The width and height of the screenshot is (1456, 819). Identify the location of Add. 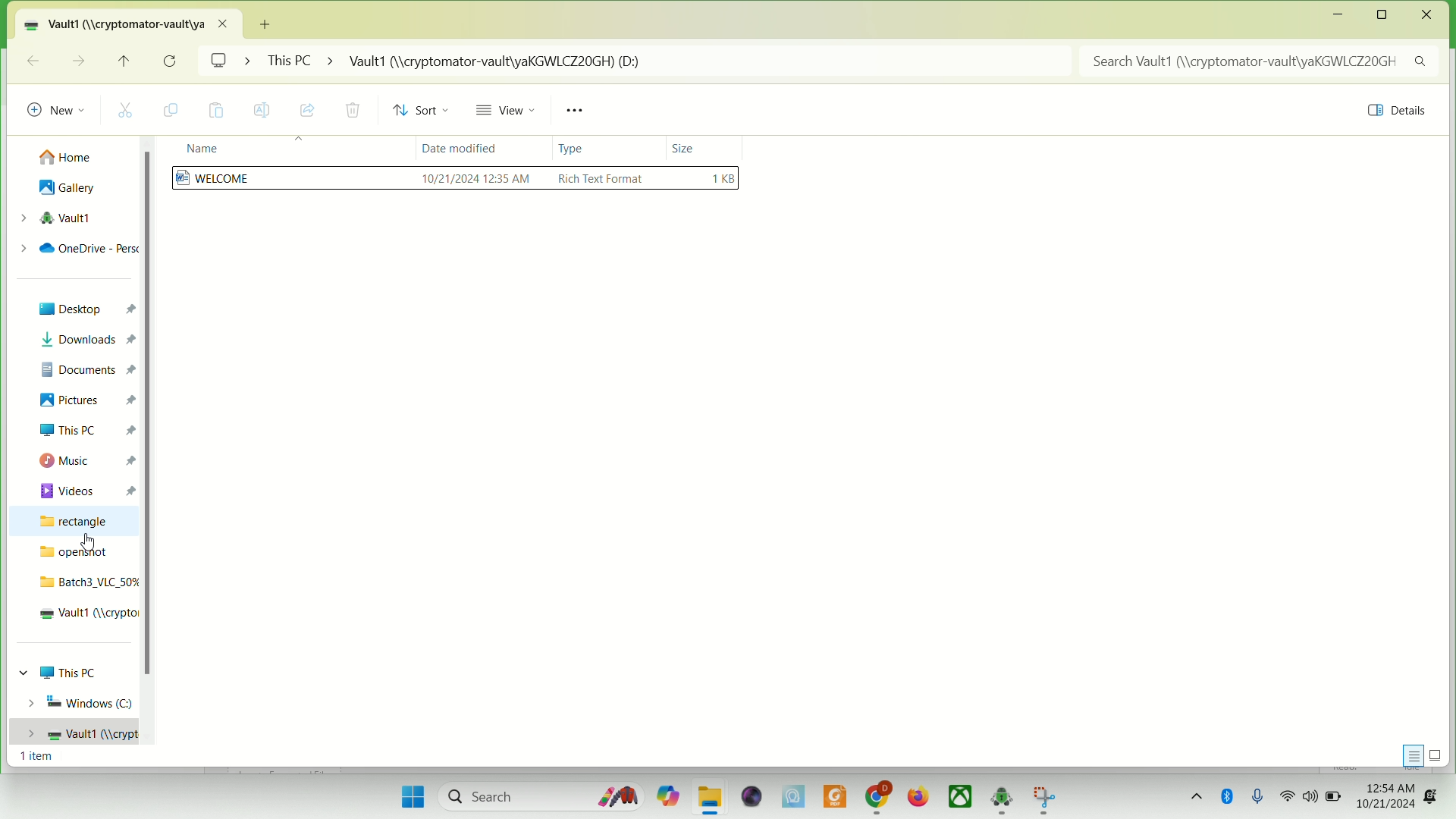
(271, 22).